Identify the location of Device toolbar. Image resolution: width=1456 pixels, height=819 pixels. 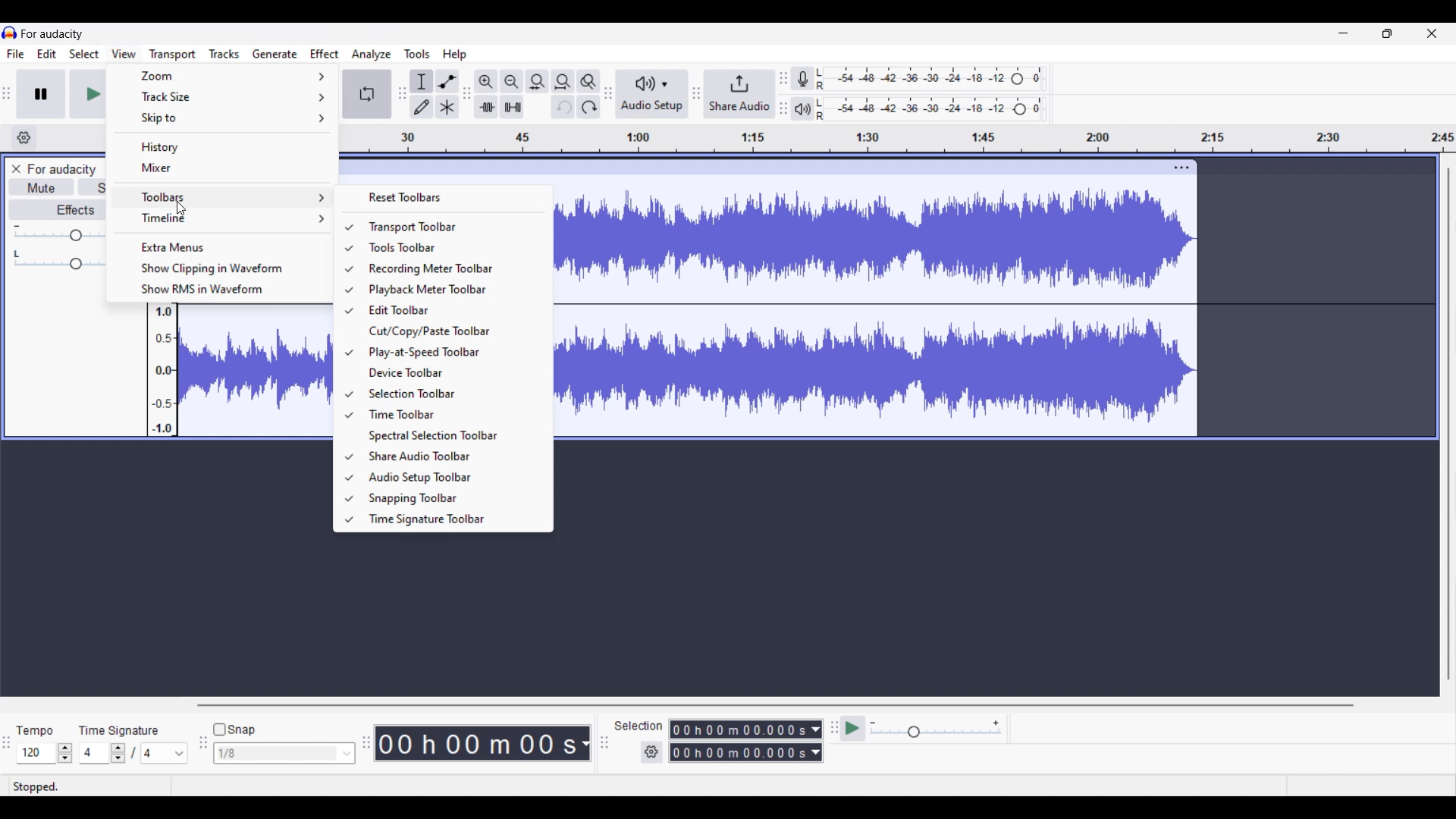
(452, 372).